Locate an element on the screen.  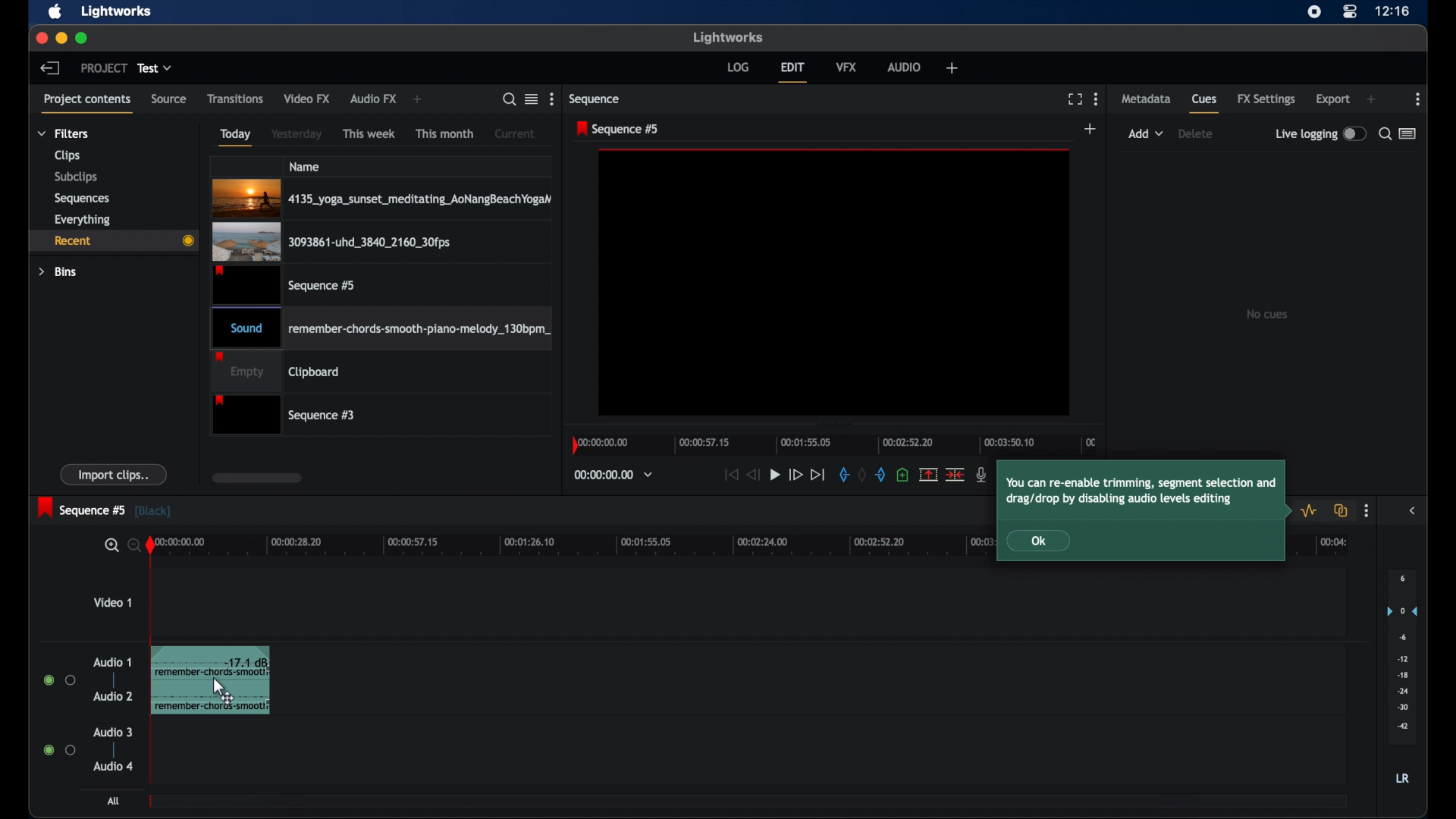
delete is located at coordinates (1196, 133).